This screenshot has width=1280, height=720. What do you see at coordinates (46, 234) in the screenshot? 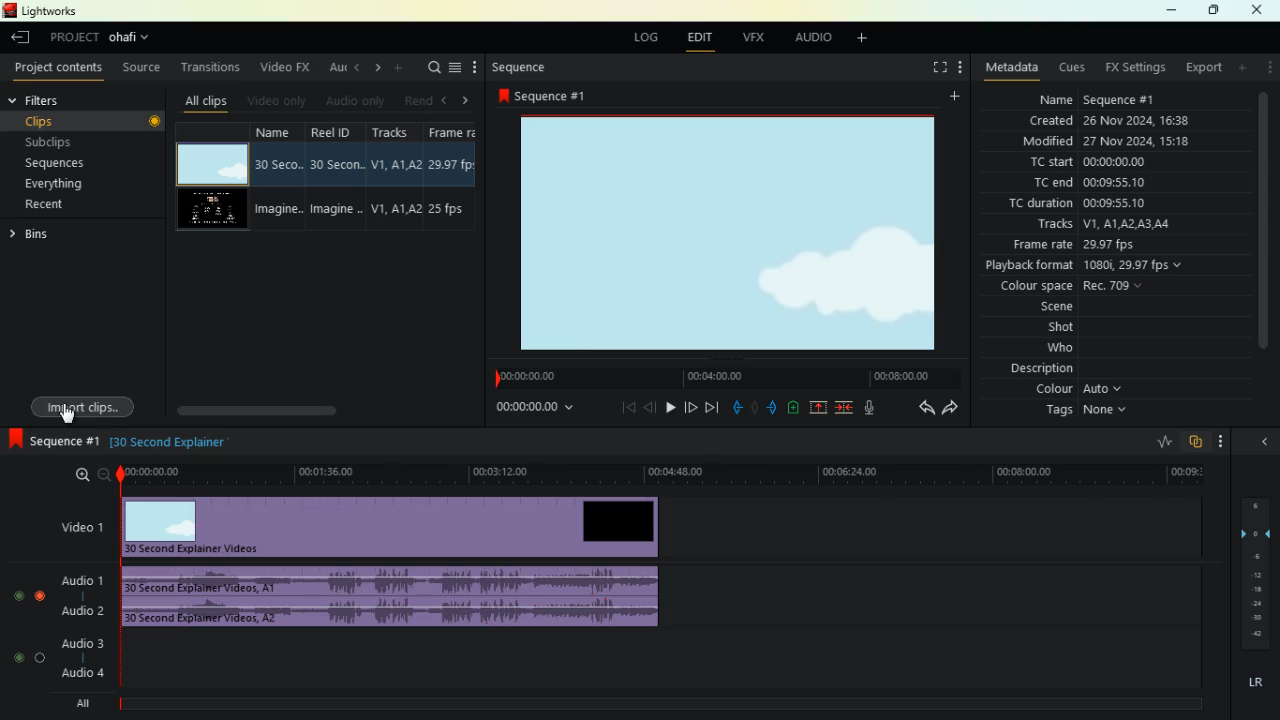
I see `bins` at bounding box center [46, 234].